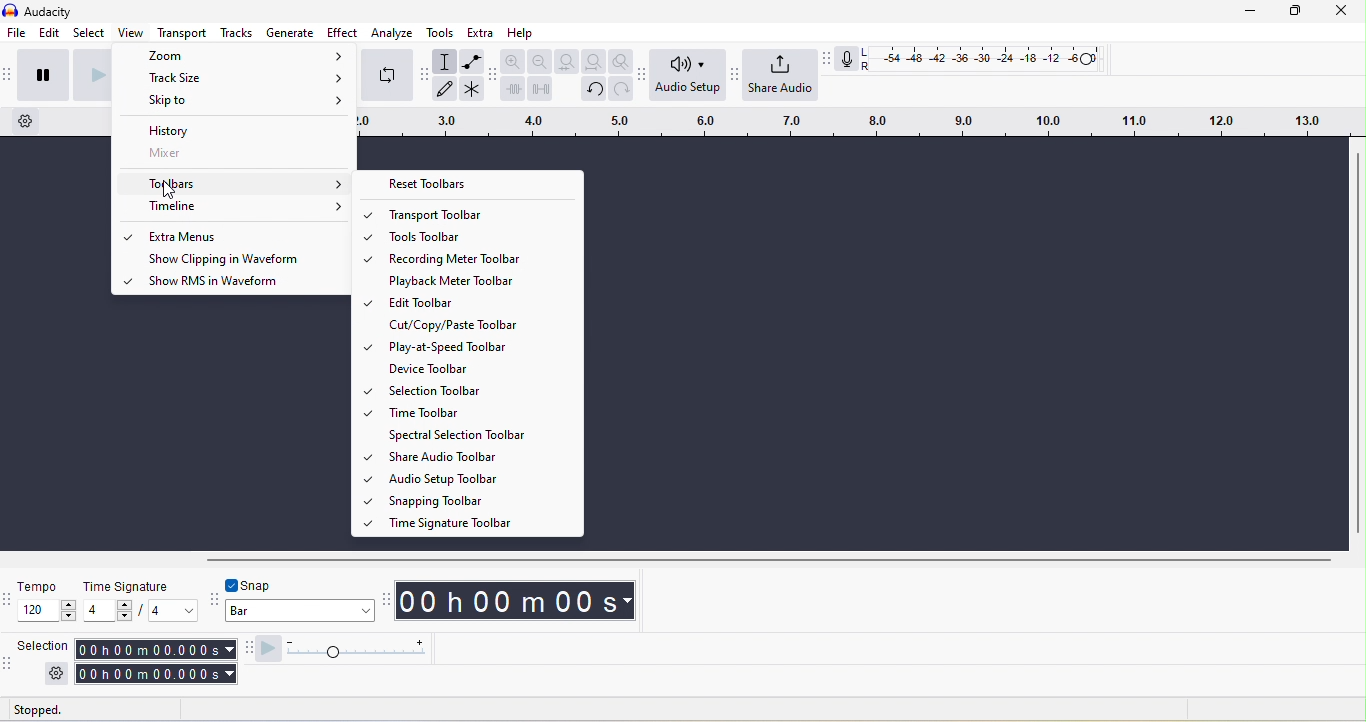 The width and height of the screenshot is (1366, 722). What do you see at coordinates (857, 122) in the screenshot?
I see `timeline` at bounding box center [857, 122].